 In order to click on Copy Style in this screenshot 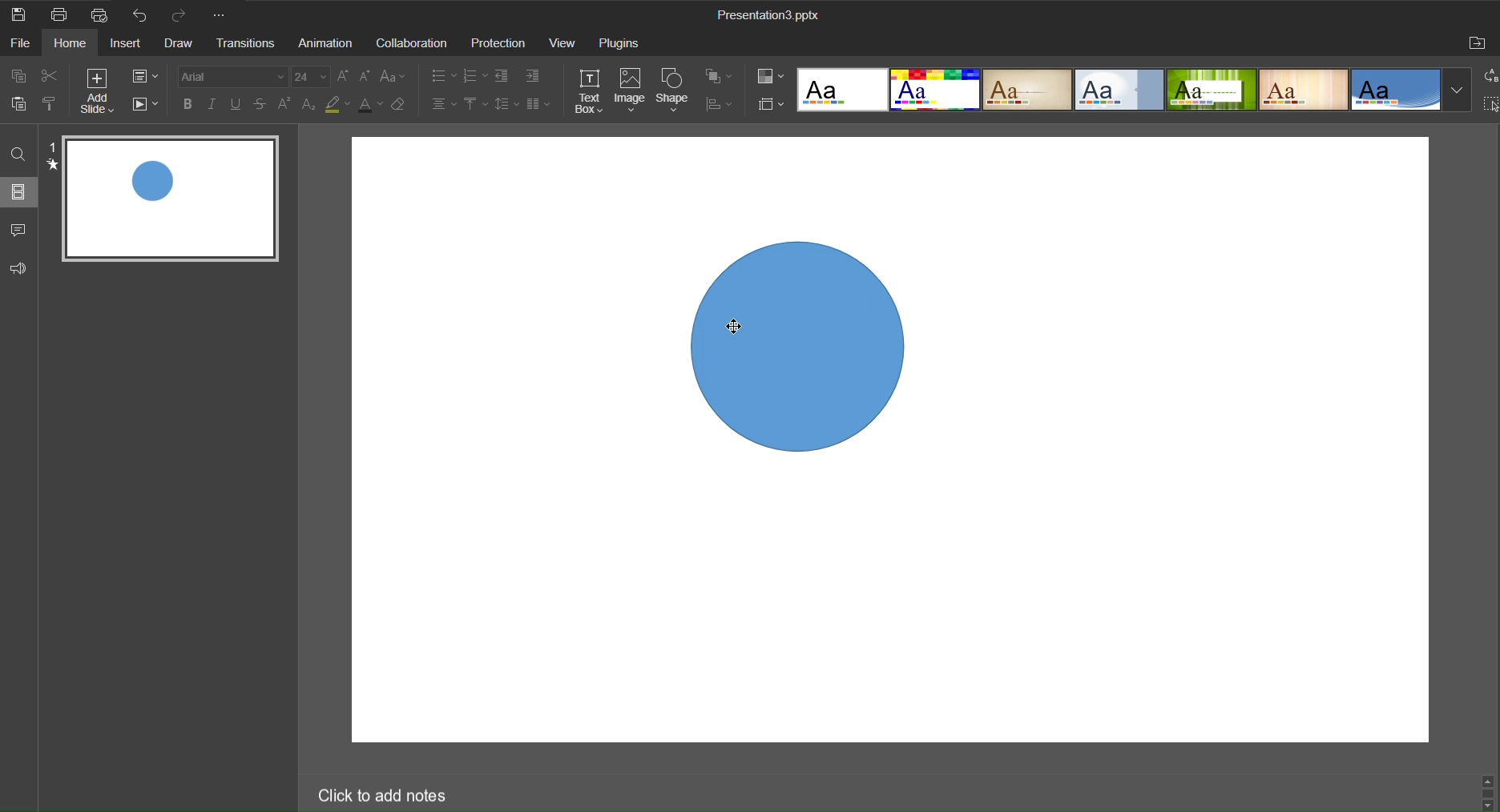, I will do `click(58, 106)`.